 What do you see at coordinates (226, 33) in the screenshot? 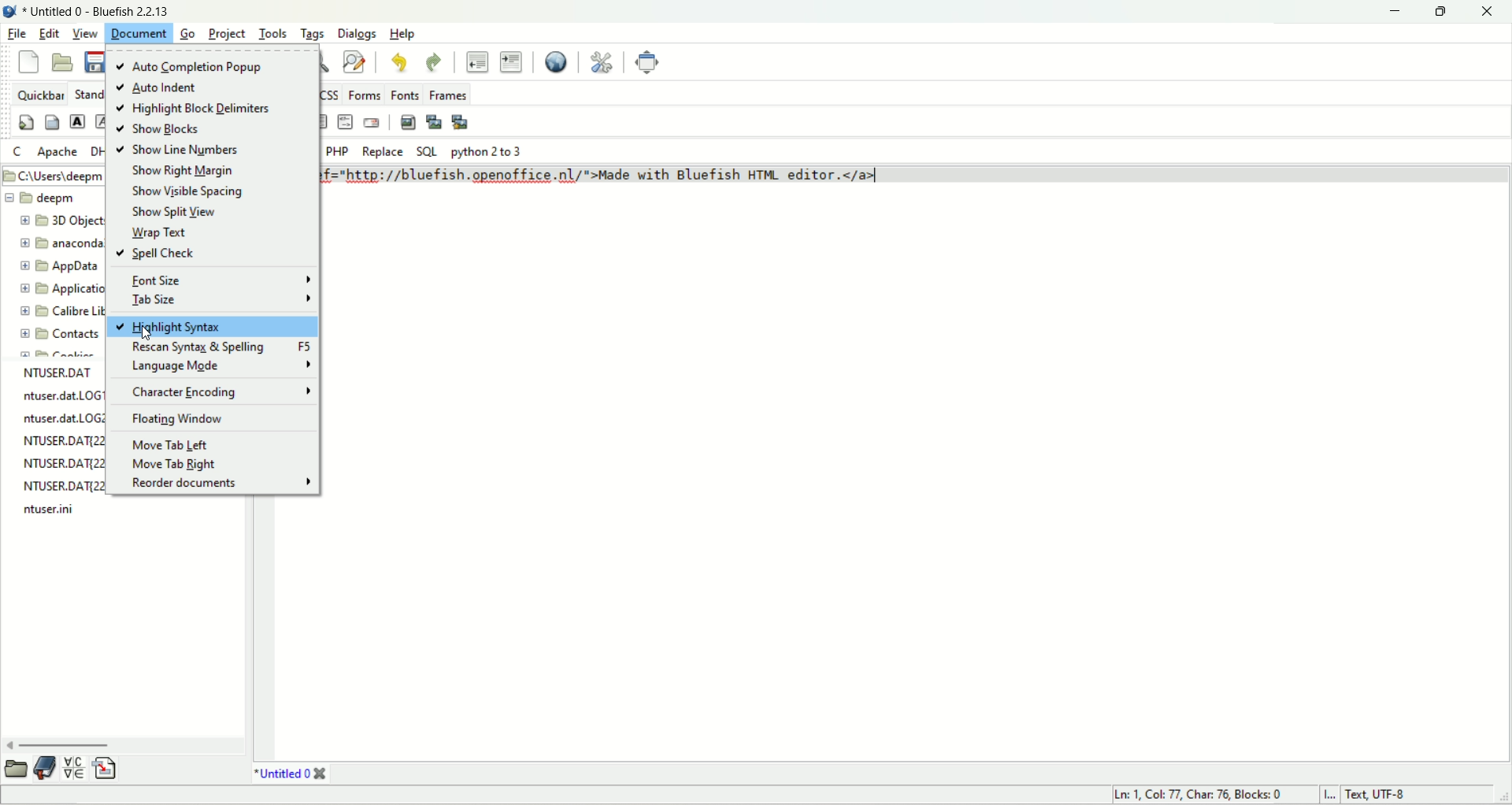
I see `project` at bounding box center [226, 33].